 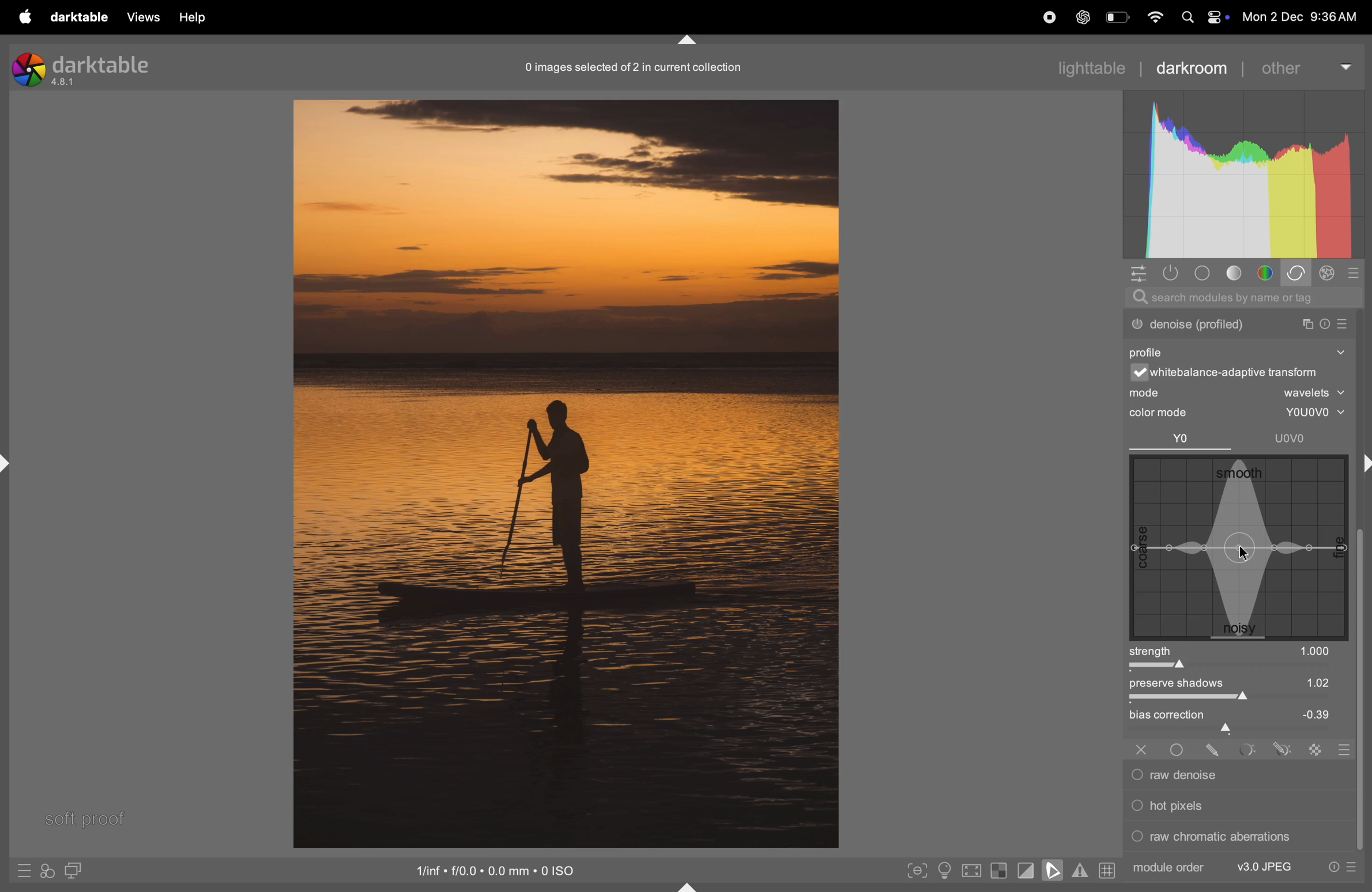 What do you see at coordinates (1153, 17) in the screenshot?
I see `wifi` at bounding box center [1153, 17].